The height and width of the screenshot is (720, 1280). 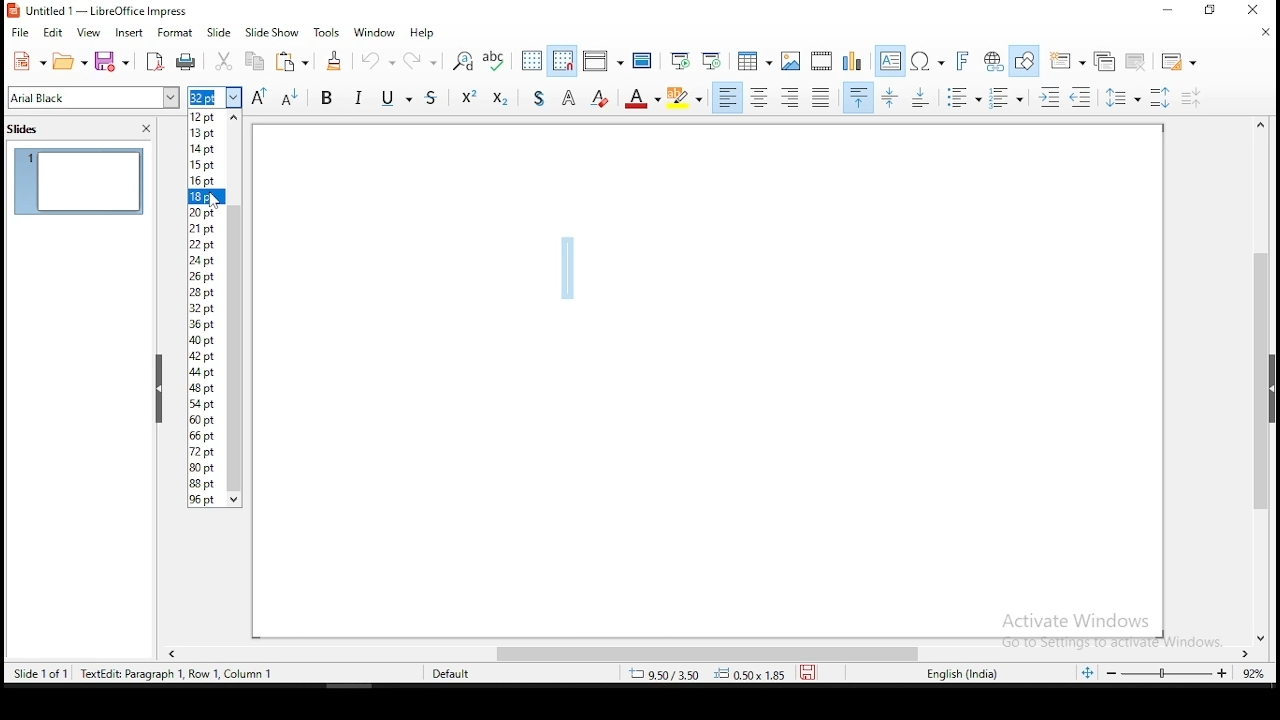 What do you see at coordinates (376, 59) in the screenshot?
I see `undo` at bounding box center [376, 59].